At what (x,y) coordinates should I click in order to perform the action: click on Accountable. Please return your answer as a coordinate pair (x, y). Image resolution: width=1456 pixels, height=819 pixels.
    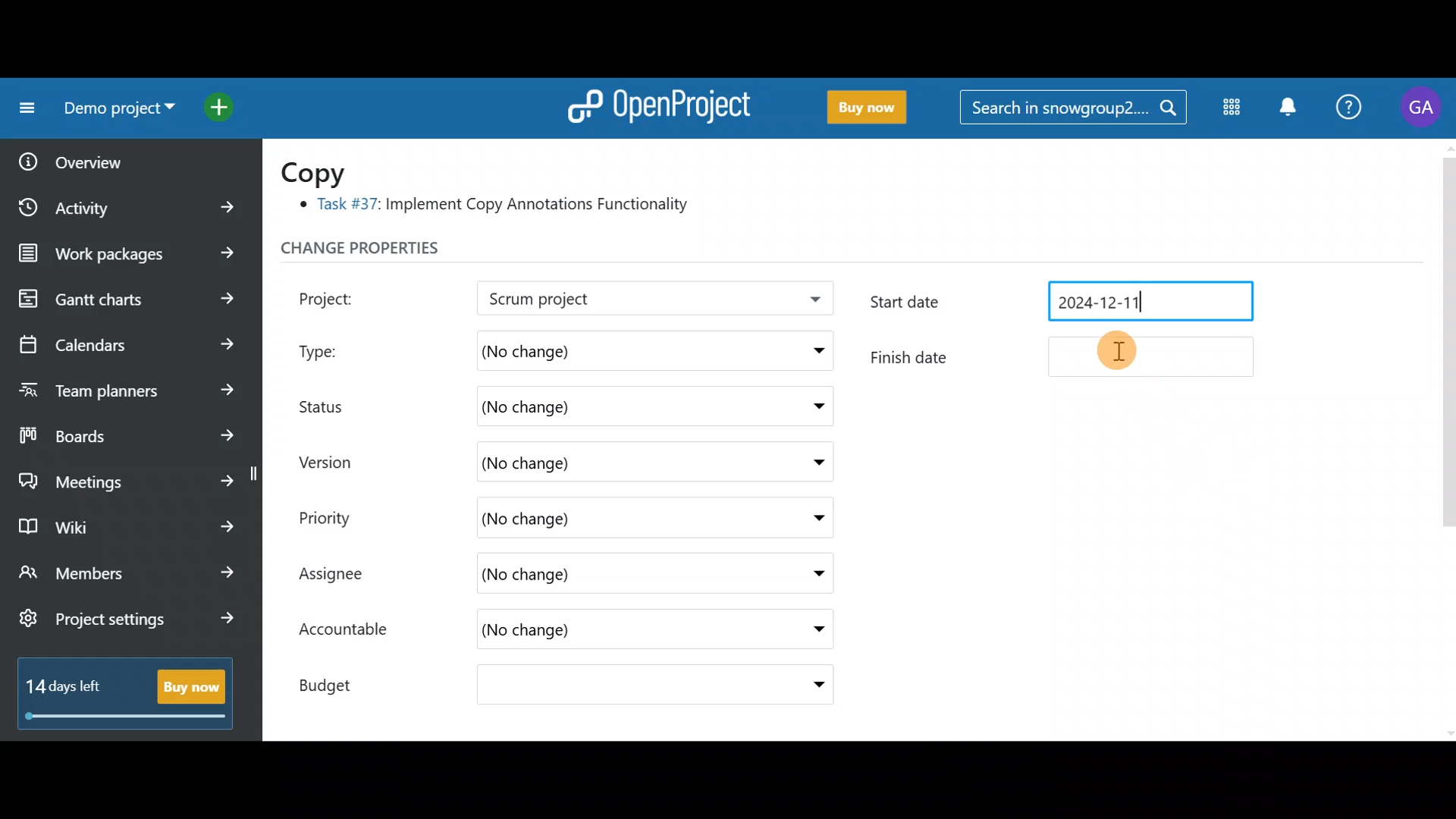
    Looking at the image, I should click on (351, 631).